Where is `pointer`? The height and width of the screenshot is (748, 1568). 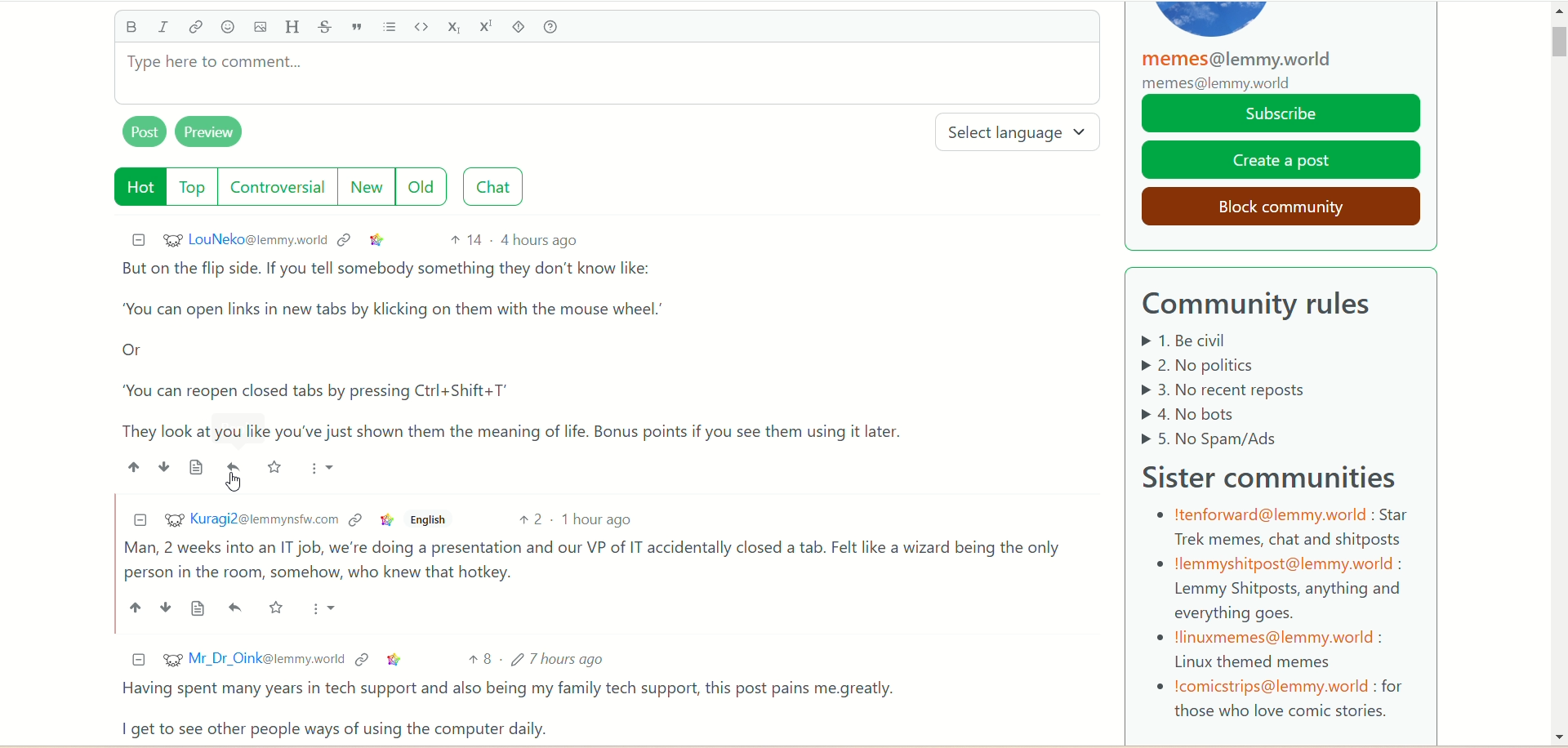 pointer is located at coordinates (237, 486).